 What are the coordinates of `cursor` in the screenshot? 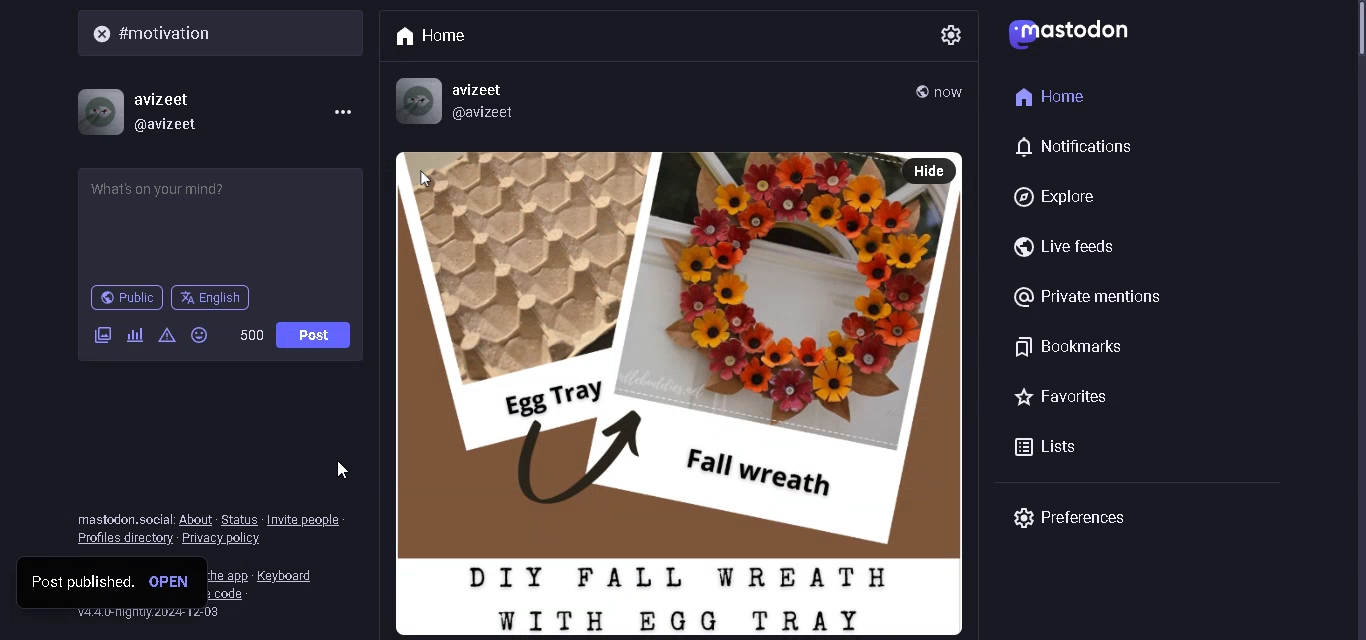 It's located at (343, 470).